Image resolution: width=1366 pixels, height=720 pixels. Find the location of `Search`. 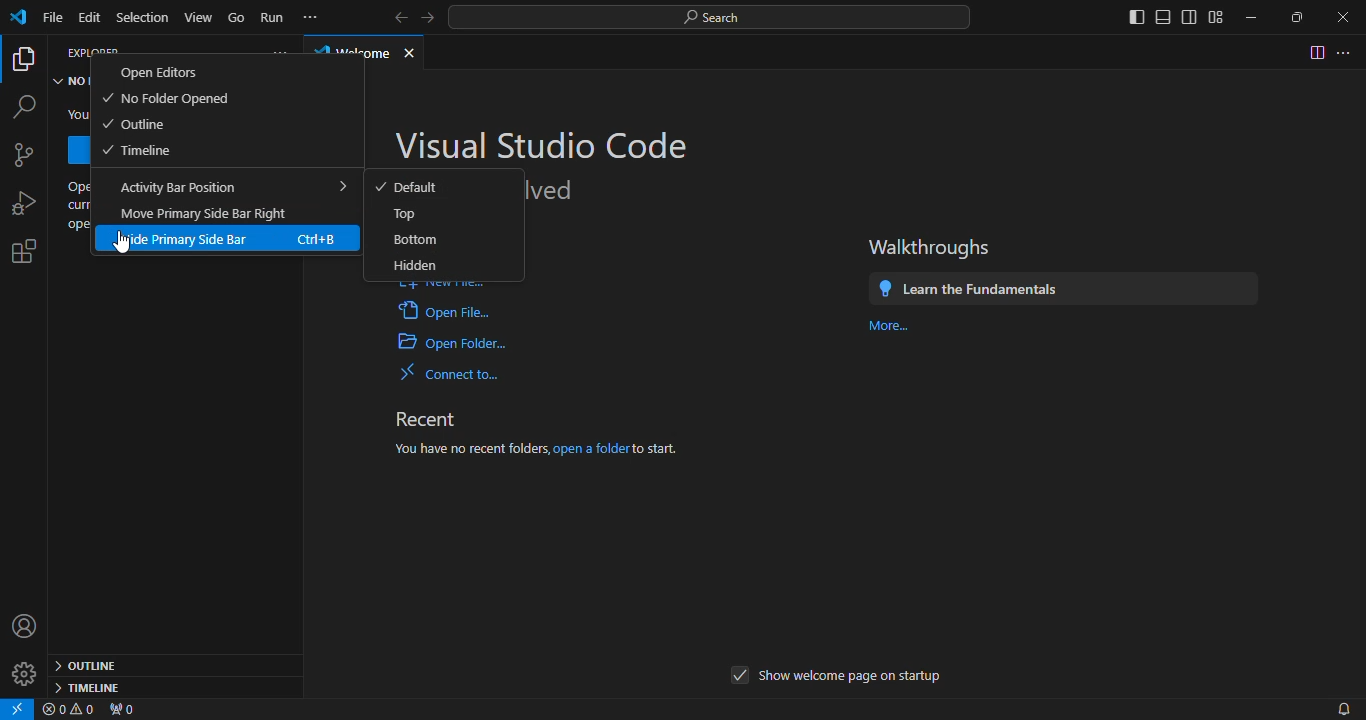

Search is located at coordinates (707, 20).